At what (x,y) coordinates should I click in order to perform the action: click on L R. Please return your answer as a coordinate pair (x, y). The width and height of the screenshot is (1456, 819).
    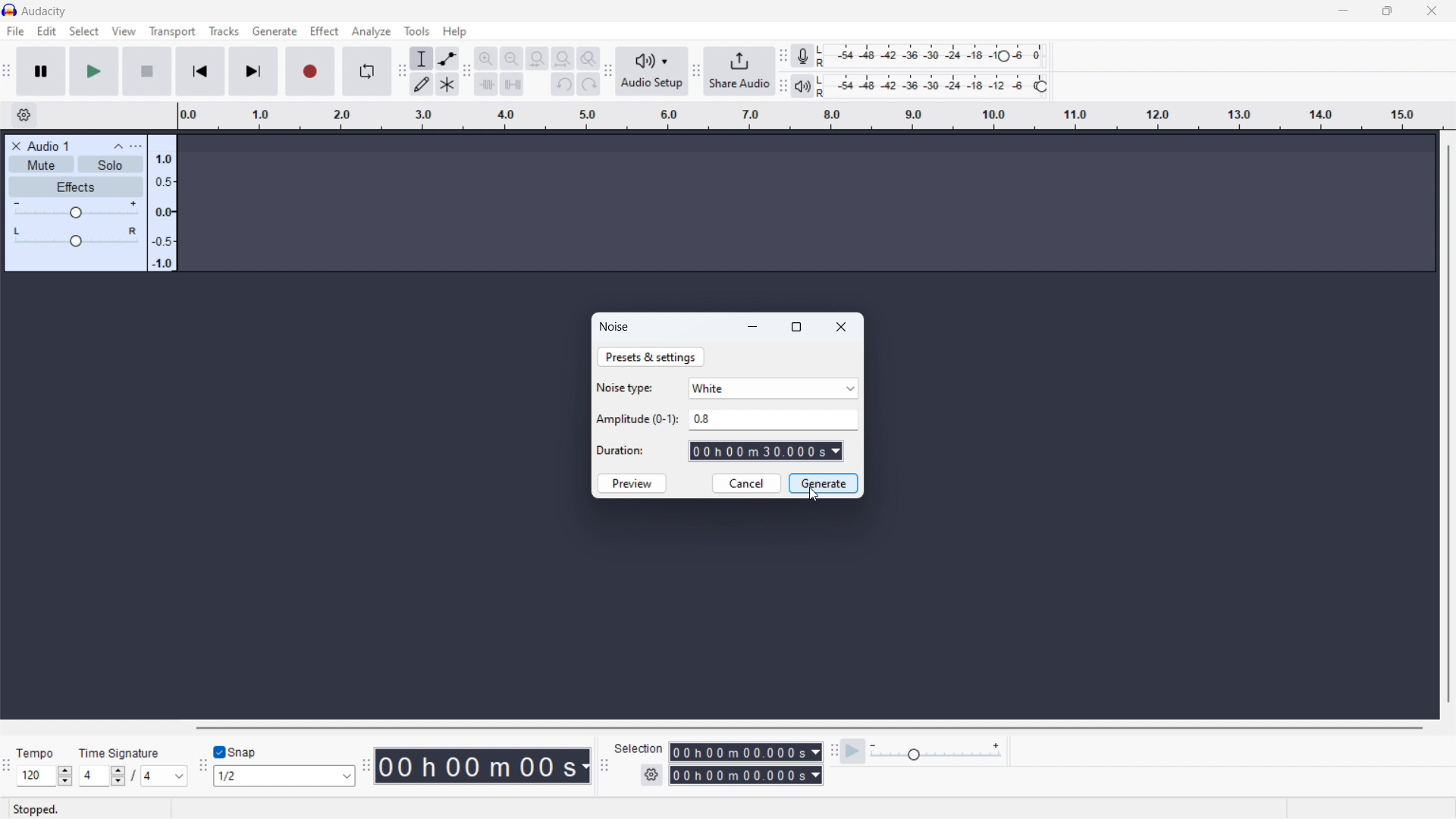
    Looking at the image, I should click on (823, 71).